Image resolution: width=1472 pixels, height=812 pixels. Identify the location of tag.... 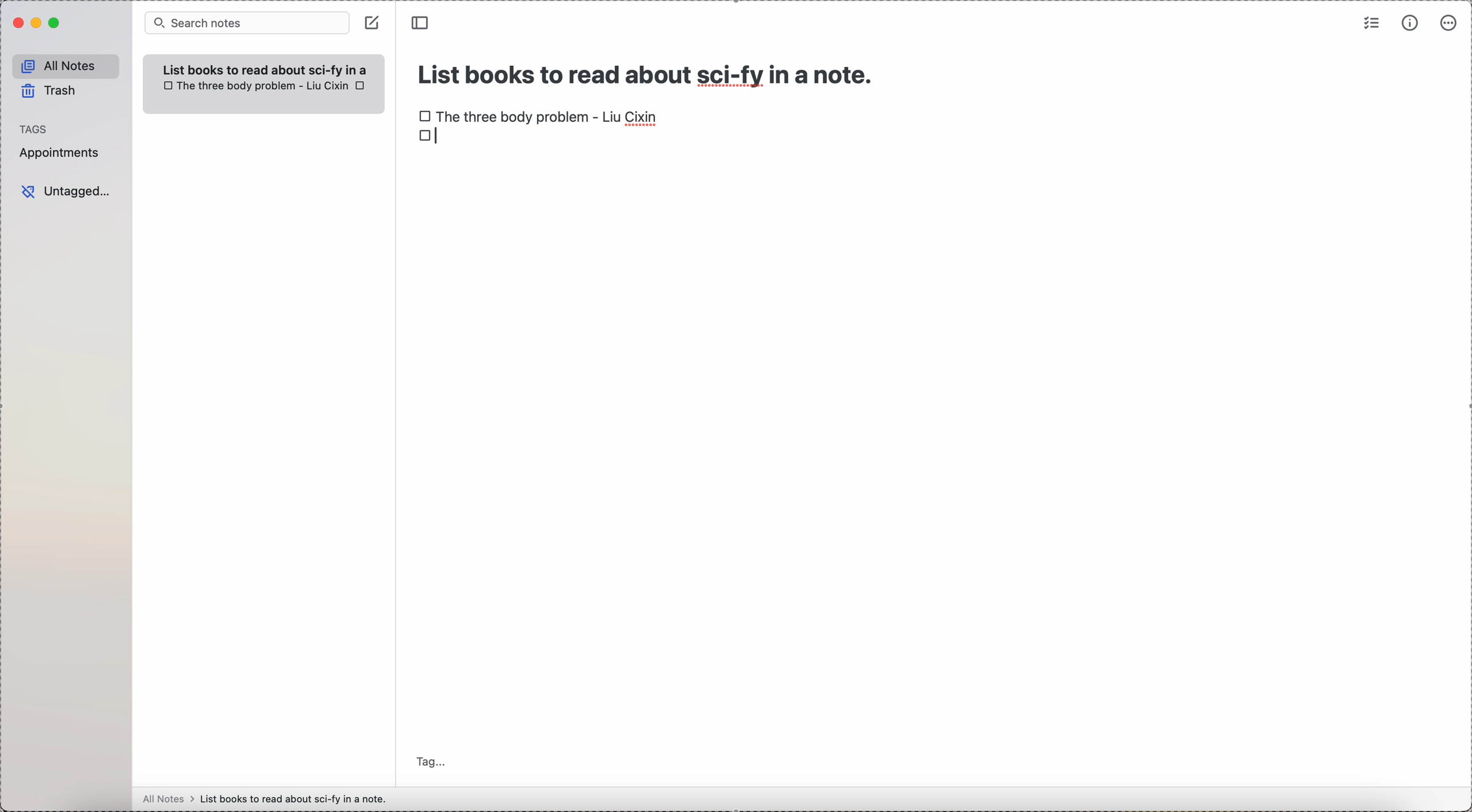
(433, 763).